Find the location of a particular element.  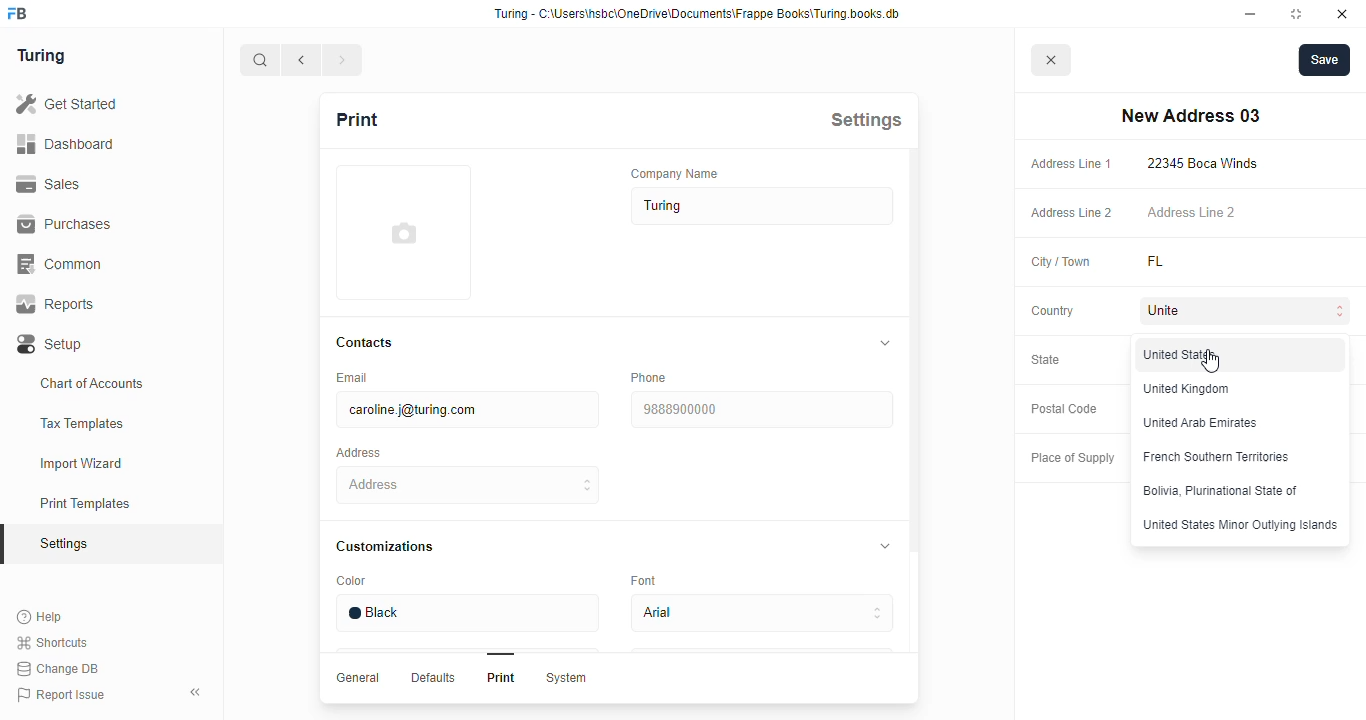

dashboard is located at coordinates (65, 143).